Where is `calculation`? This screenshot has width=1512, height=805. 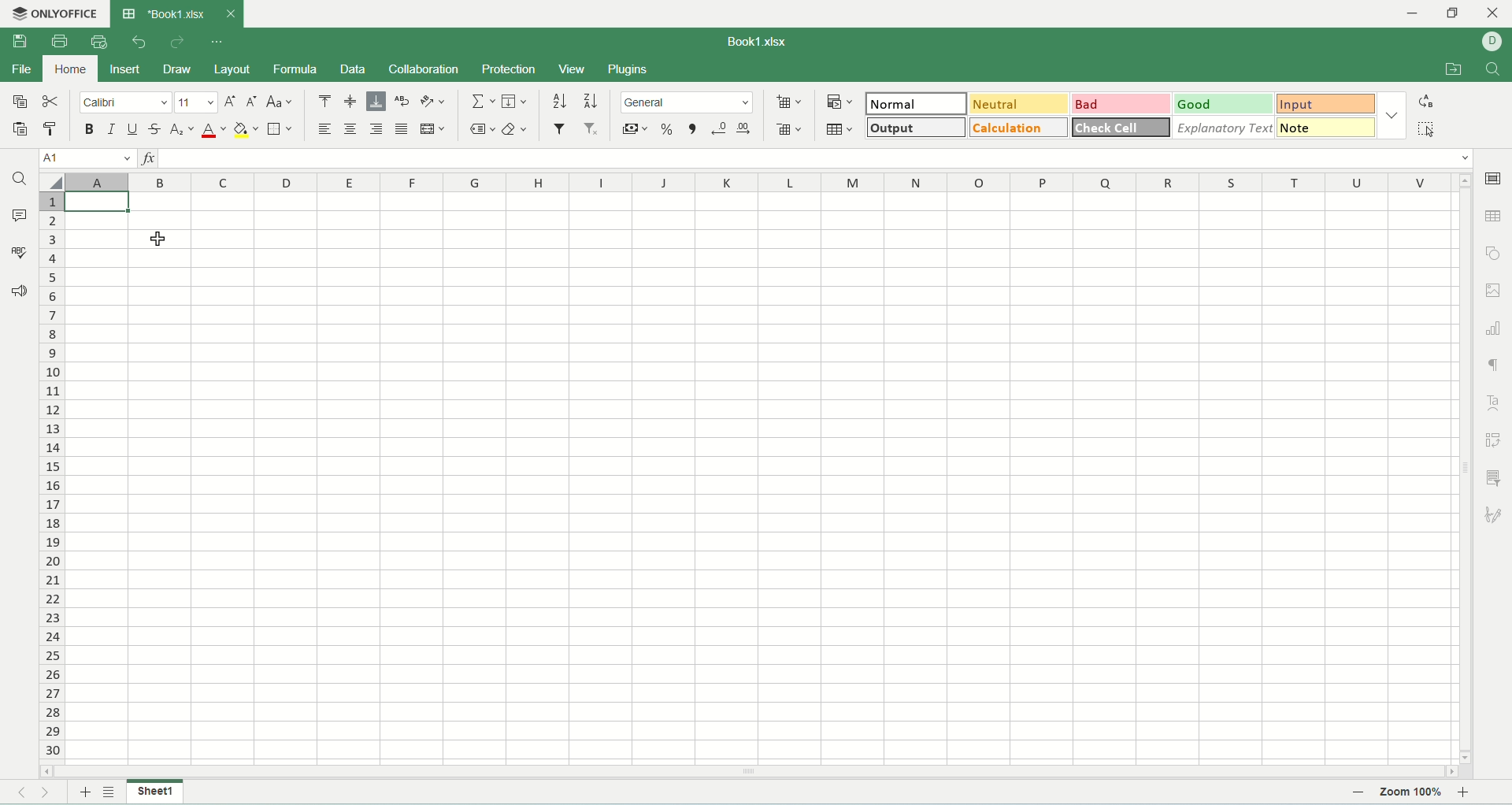
calculation is located at coordinates (1020, 128).